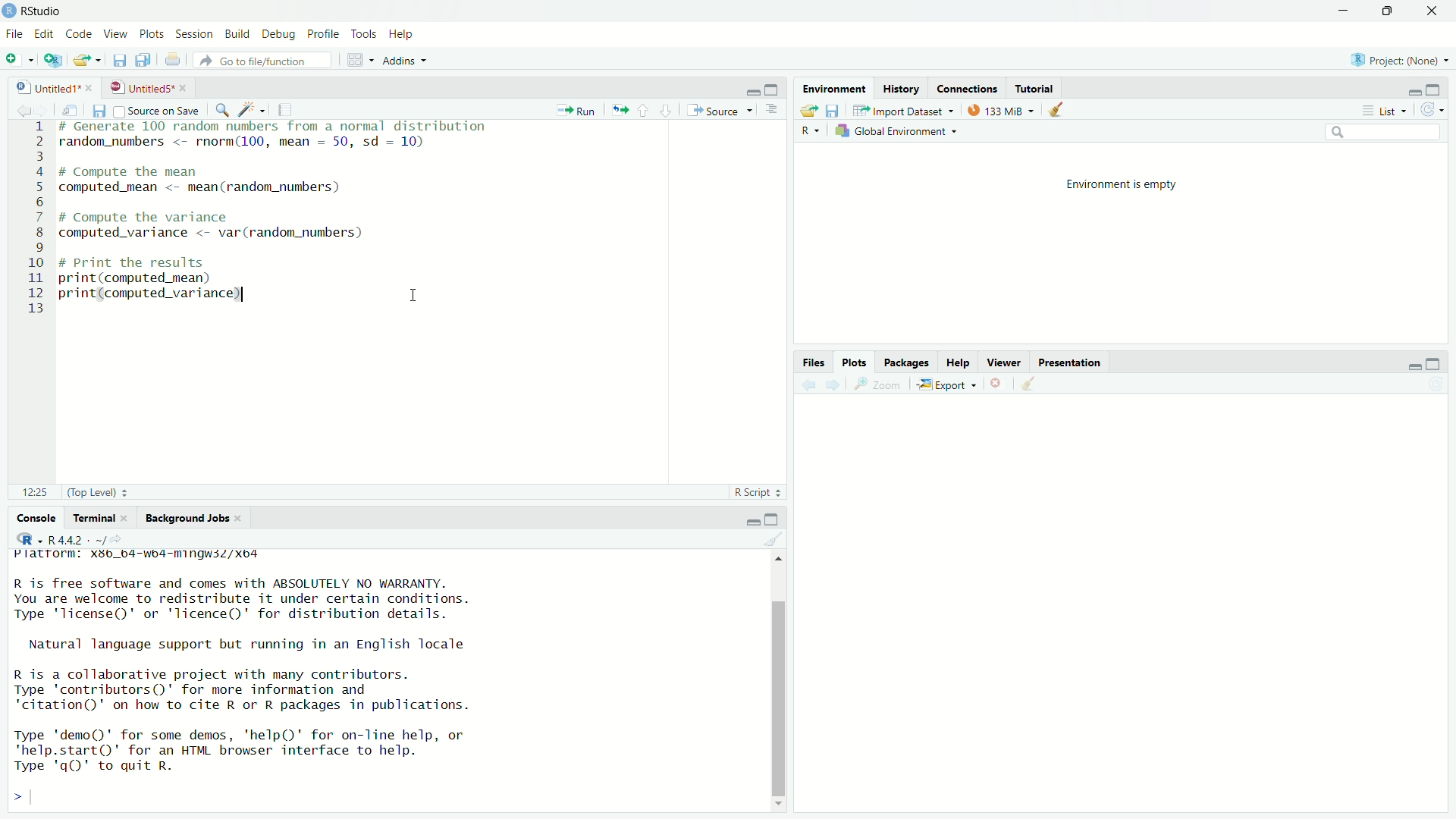 This screenshot has height=819, width=1456. What do you see at coordinates (999, 109) in the screenshot?
I see `133 MiB` at bounding box center [999, 109].